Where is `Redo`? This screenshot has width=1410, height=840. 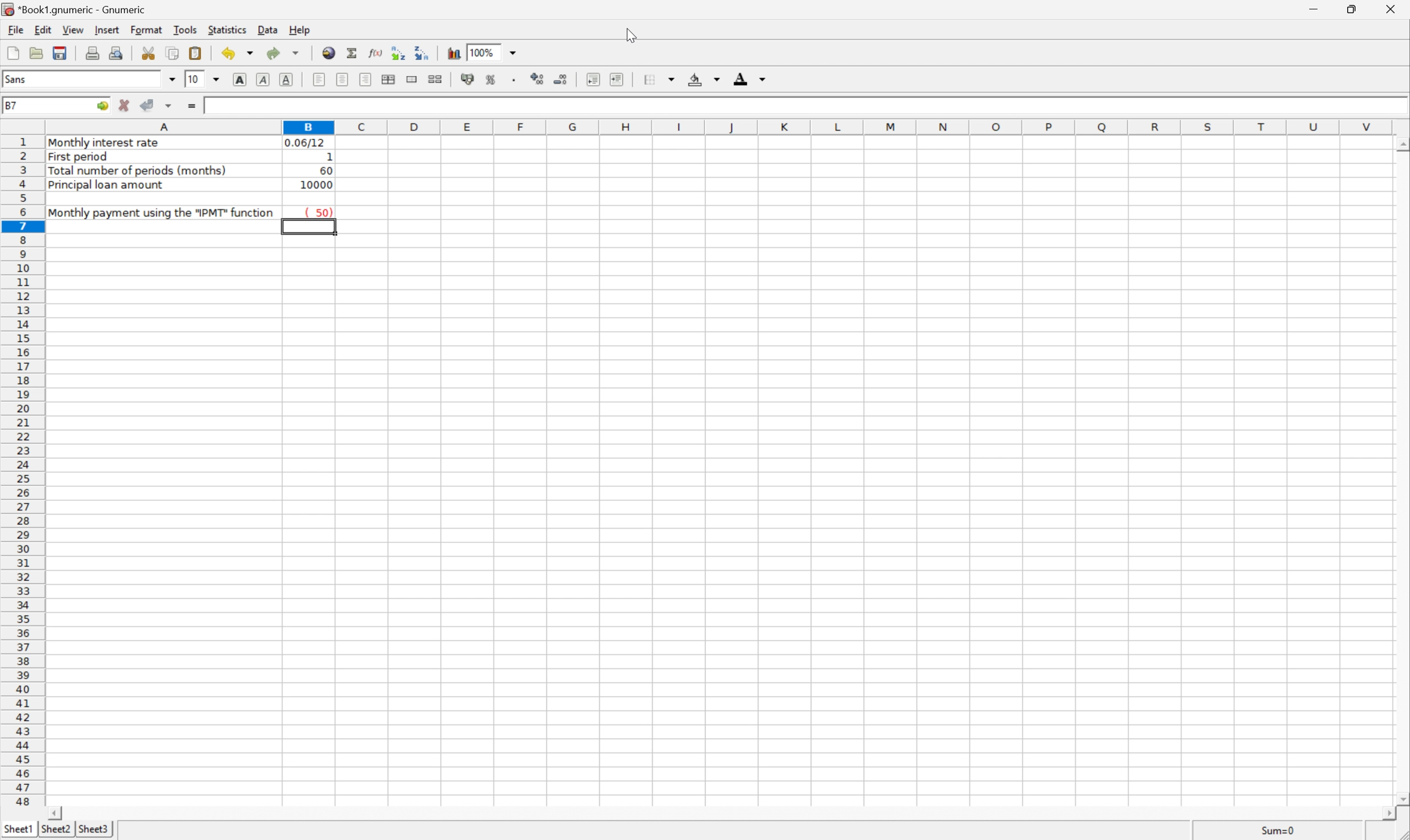 Redo is located at coordinates (284, 52).